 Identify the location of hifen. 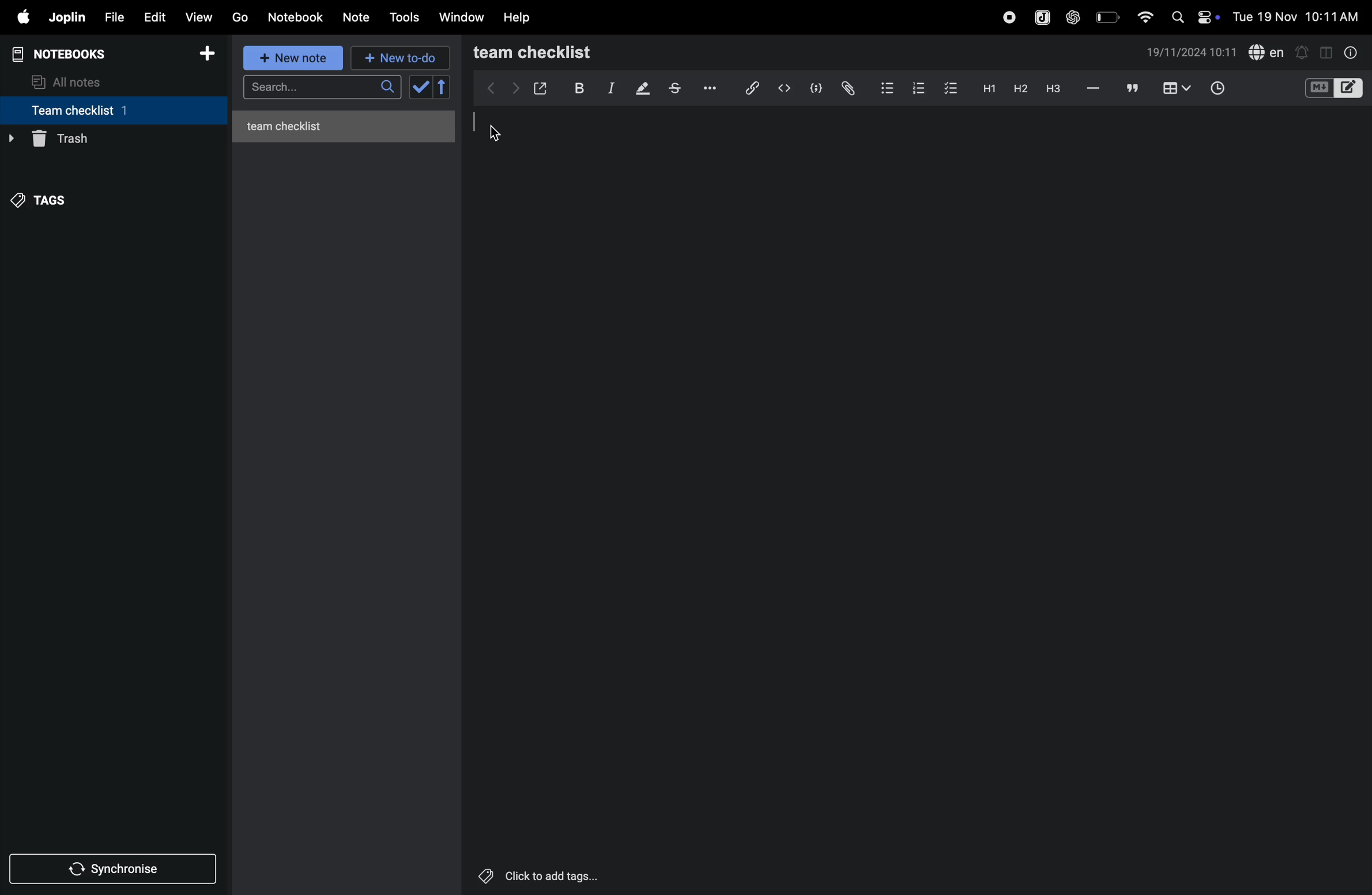
(1092, 88).